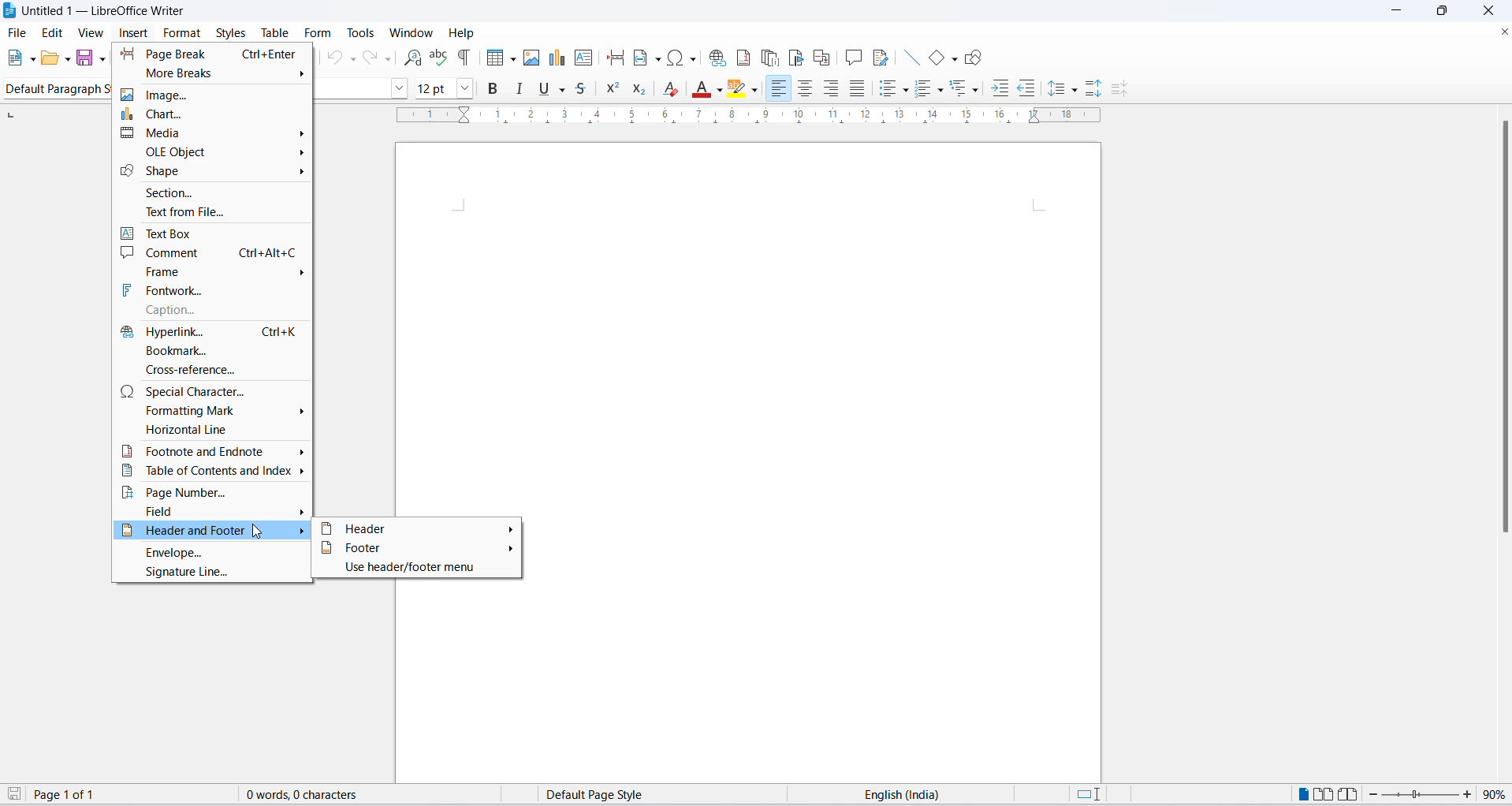 Image resolution: width=1512 pixels, height=806 pixels. I want to click on more breaks, so click(211, 75).